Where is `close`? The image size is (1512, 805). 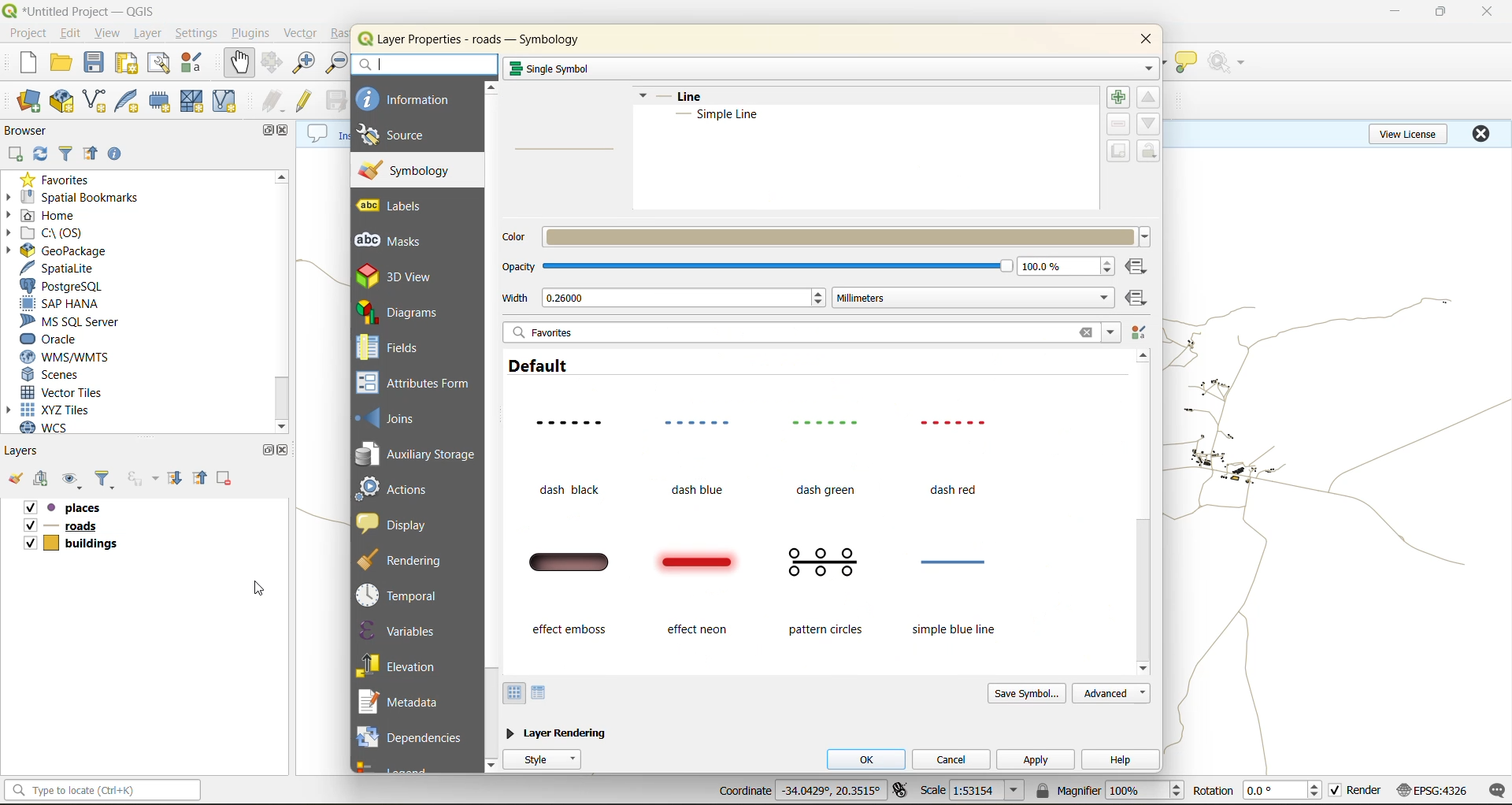
close is located at coordinates (286, 451).